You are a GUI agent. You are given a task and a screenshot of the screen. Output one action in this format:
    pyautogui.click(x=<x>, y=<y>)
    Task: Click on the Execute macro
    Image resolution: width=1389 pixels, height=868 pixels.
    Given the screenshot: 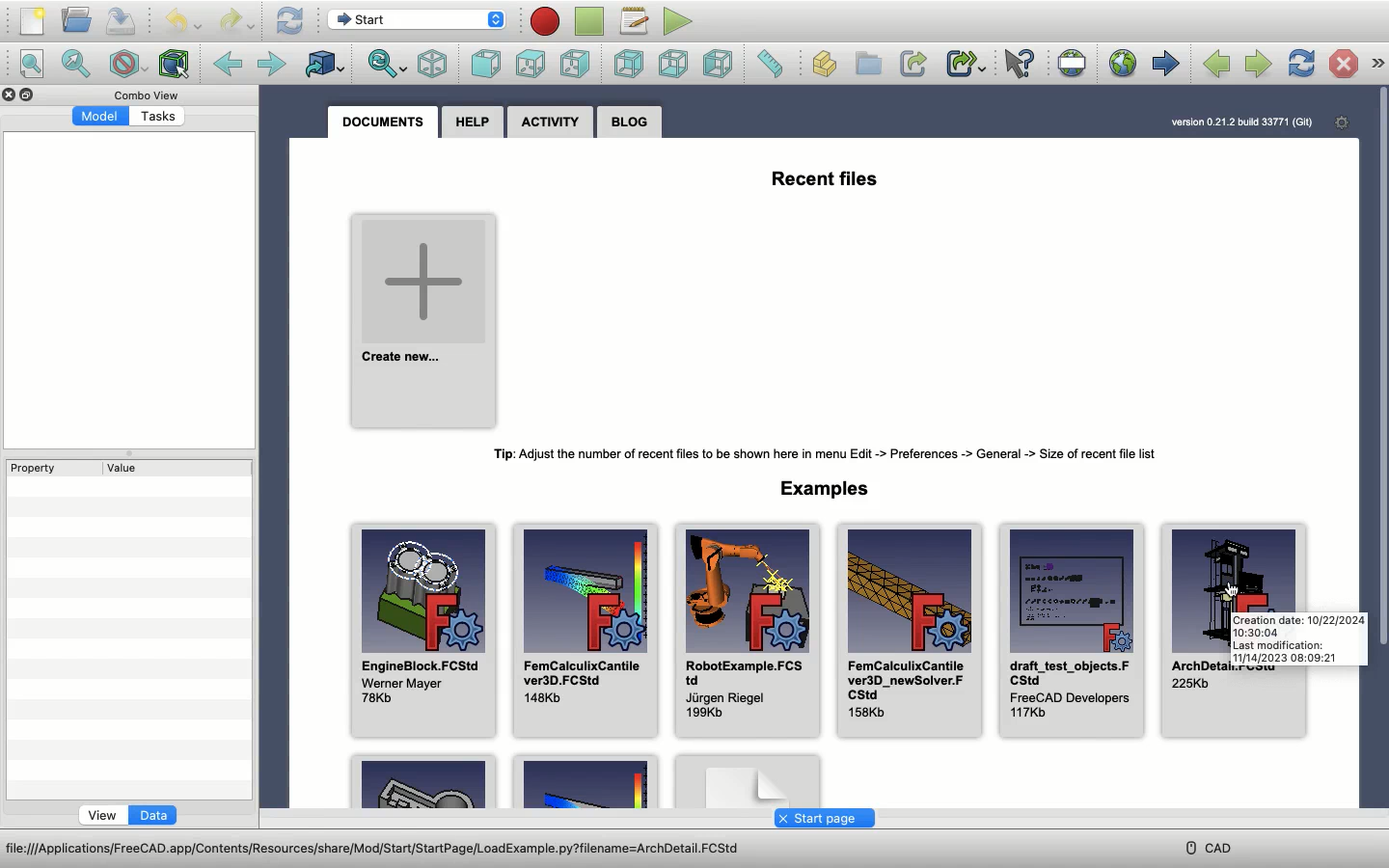 What is the action you would take?
    pyautogui.click(x=676, y=20)
    